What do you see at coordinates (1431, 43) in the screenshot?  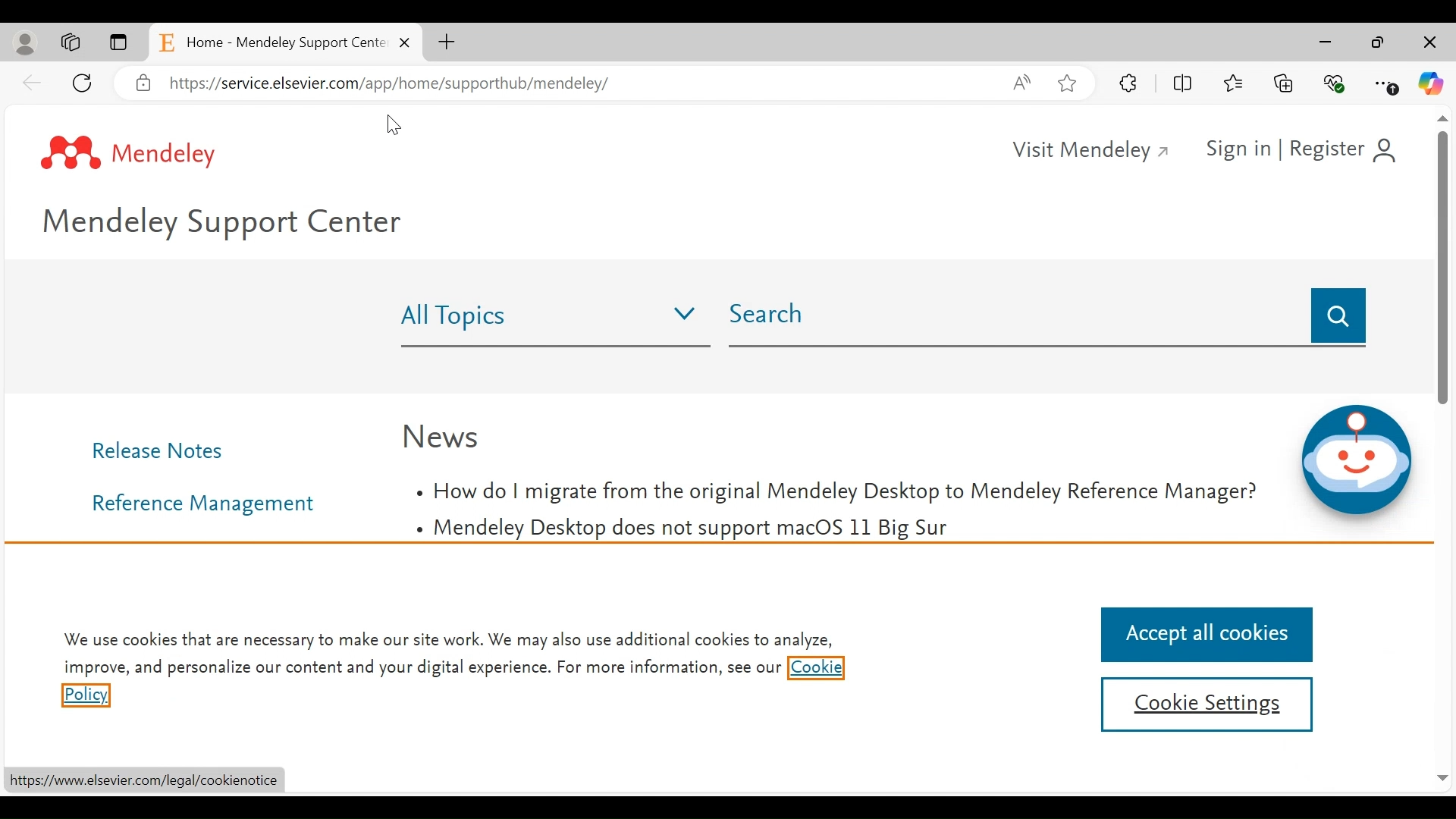 I see `Close` at bounding box center [1431, 43].